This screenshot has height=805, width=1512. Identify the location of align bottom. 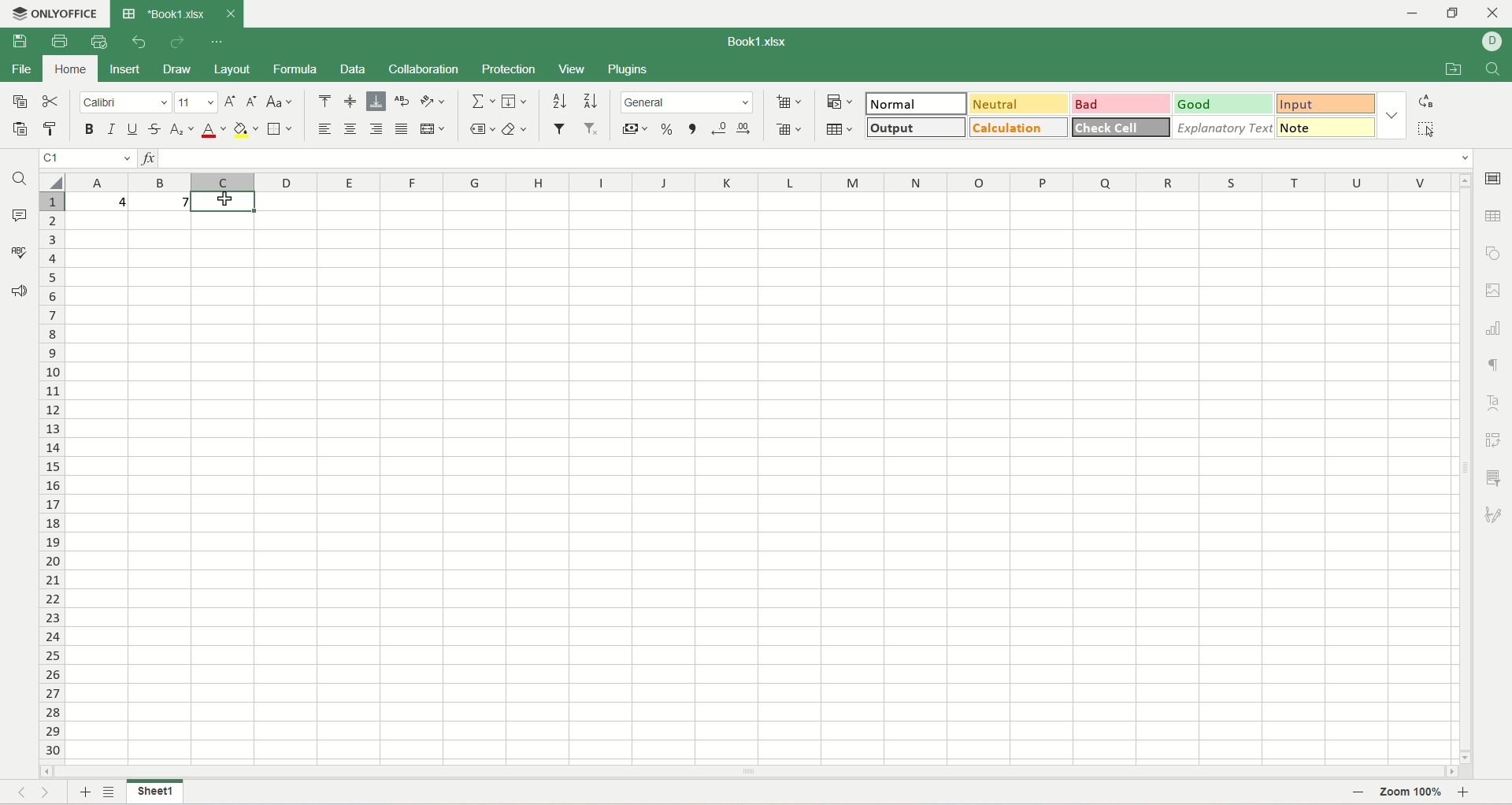
(376, 102).